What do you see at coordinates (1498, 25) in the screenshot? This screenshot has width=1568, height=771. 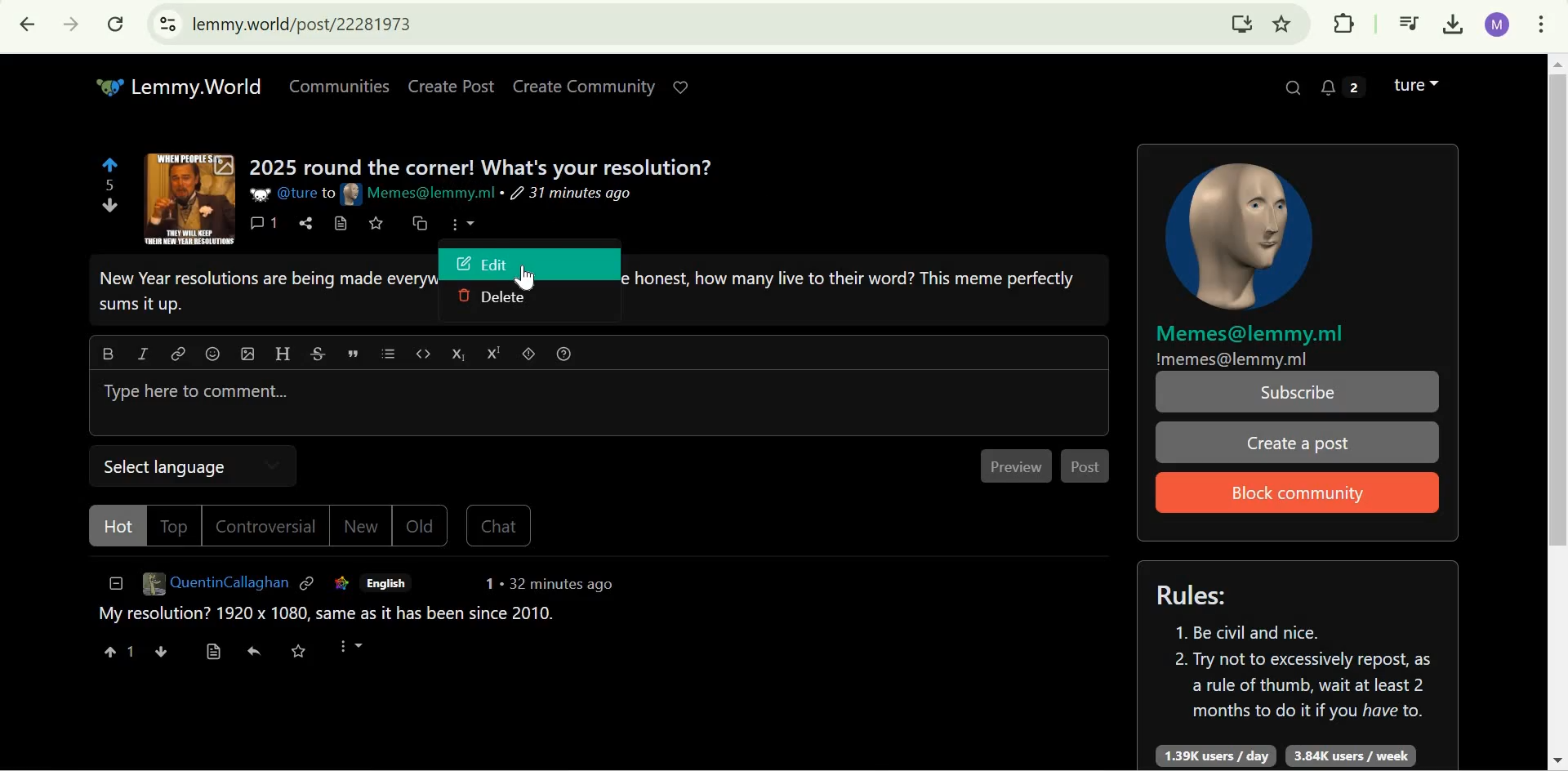 I see `Google account` at bounding box center [1498, 25].